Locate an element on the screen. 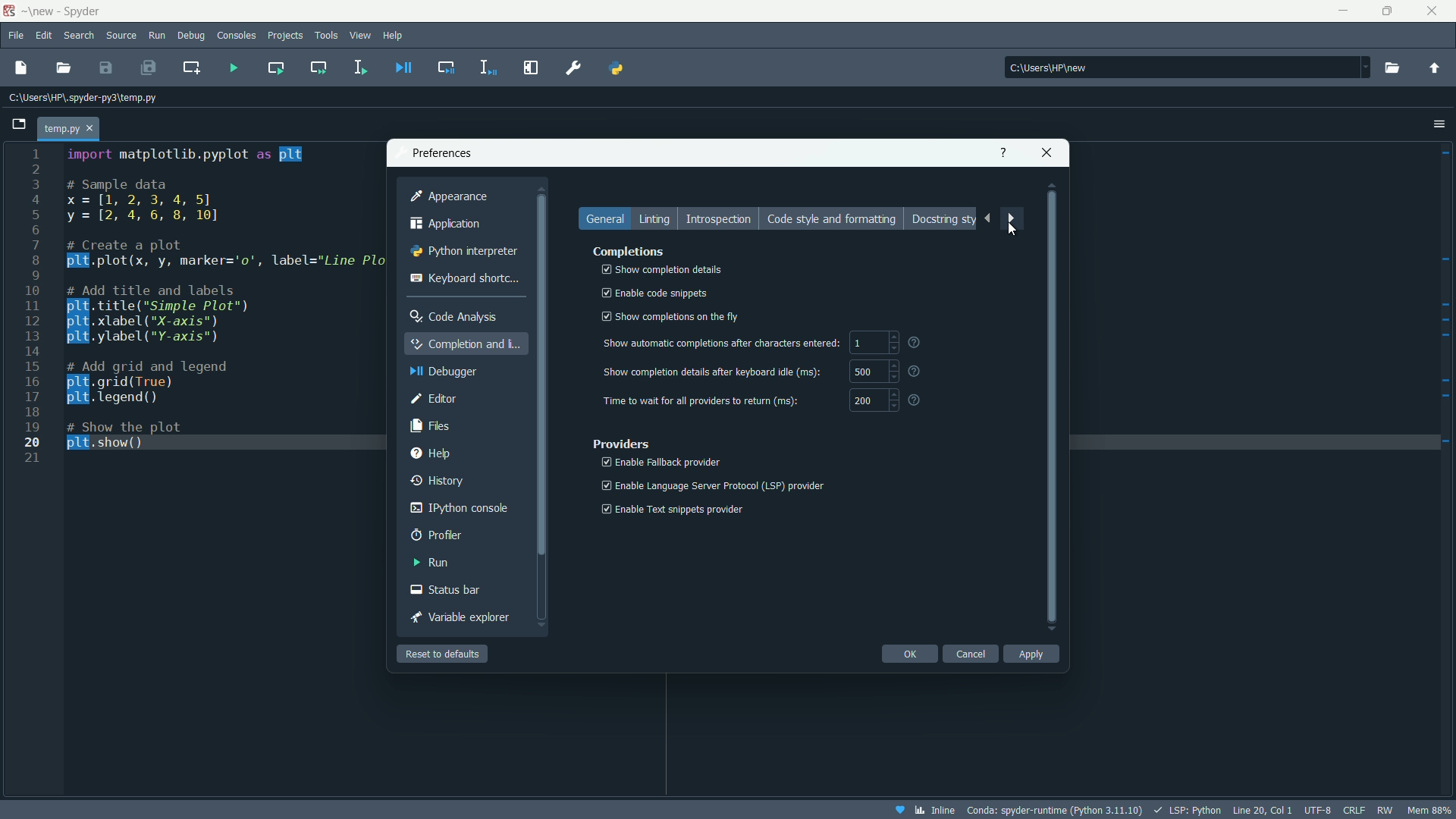 Image resolution: width=1456 pixels, height=819 pixels. preferences is located at coordinates (575, 67).